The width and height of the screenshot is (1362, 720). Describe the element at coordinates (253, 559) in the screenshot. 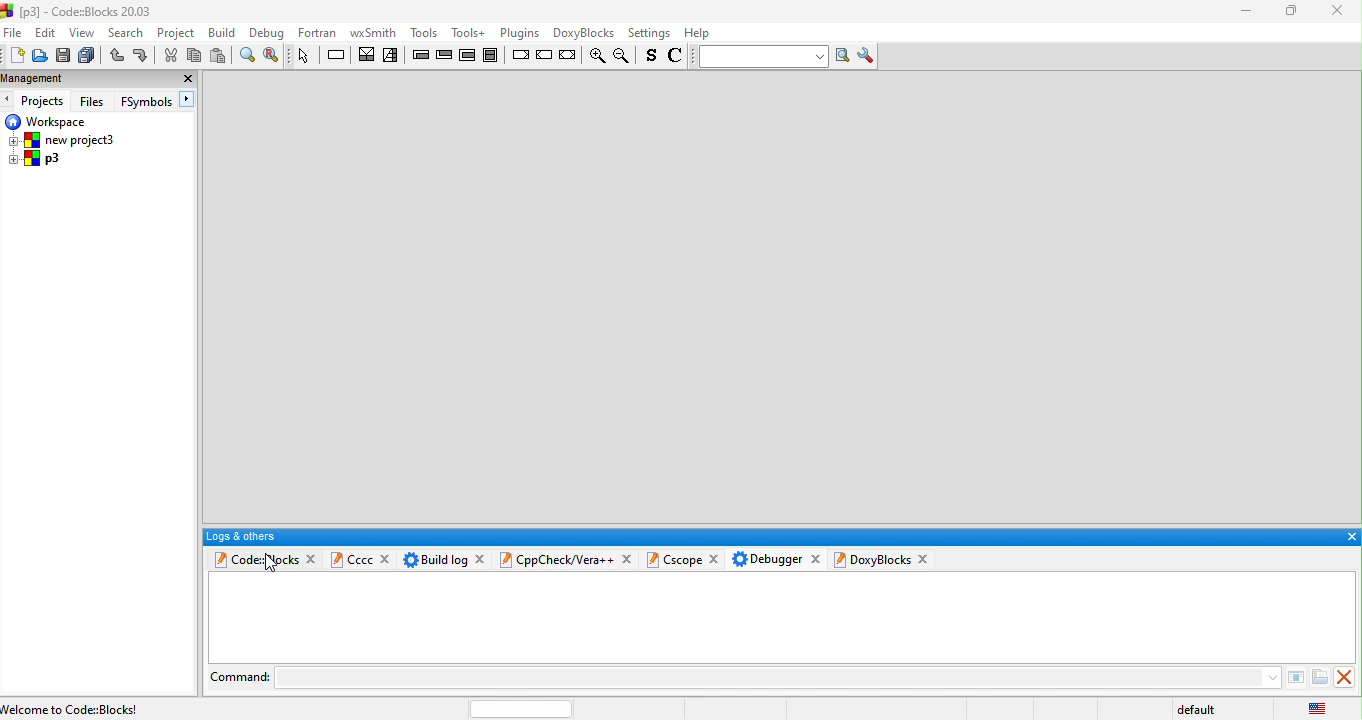

I see `code blocks` at that location.